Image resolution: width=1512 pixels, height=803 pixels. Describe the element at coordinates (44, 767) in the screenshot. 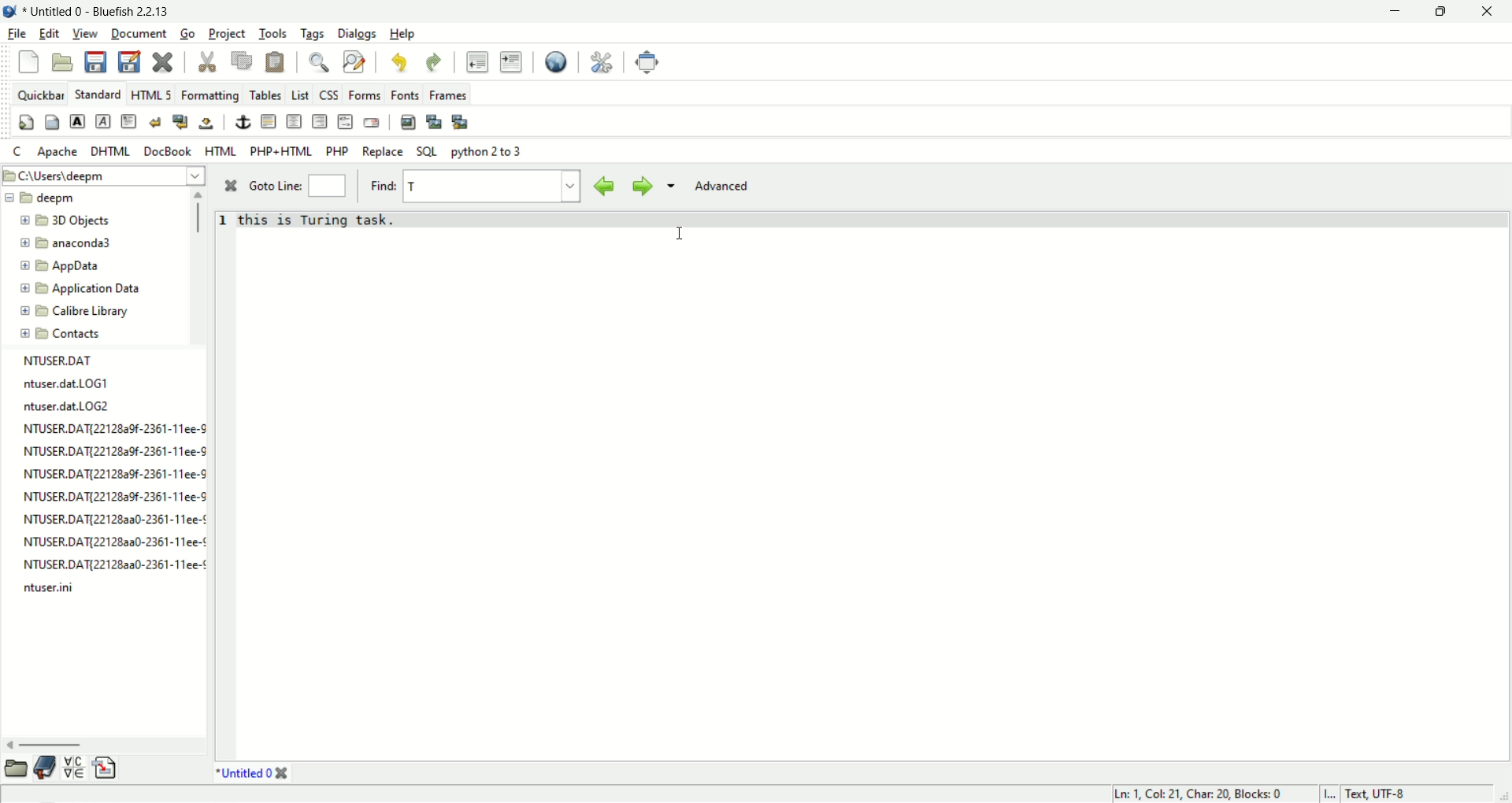

I see `bookmark` at that location.